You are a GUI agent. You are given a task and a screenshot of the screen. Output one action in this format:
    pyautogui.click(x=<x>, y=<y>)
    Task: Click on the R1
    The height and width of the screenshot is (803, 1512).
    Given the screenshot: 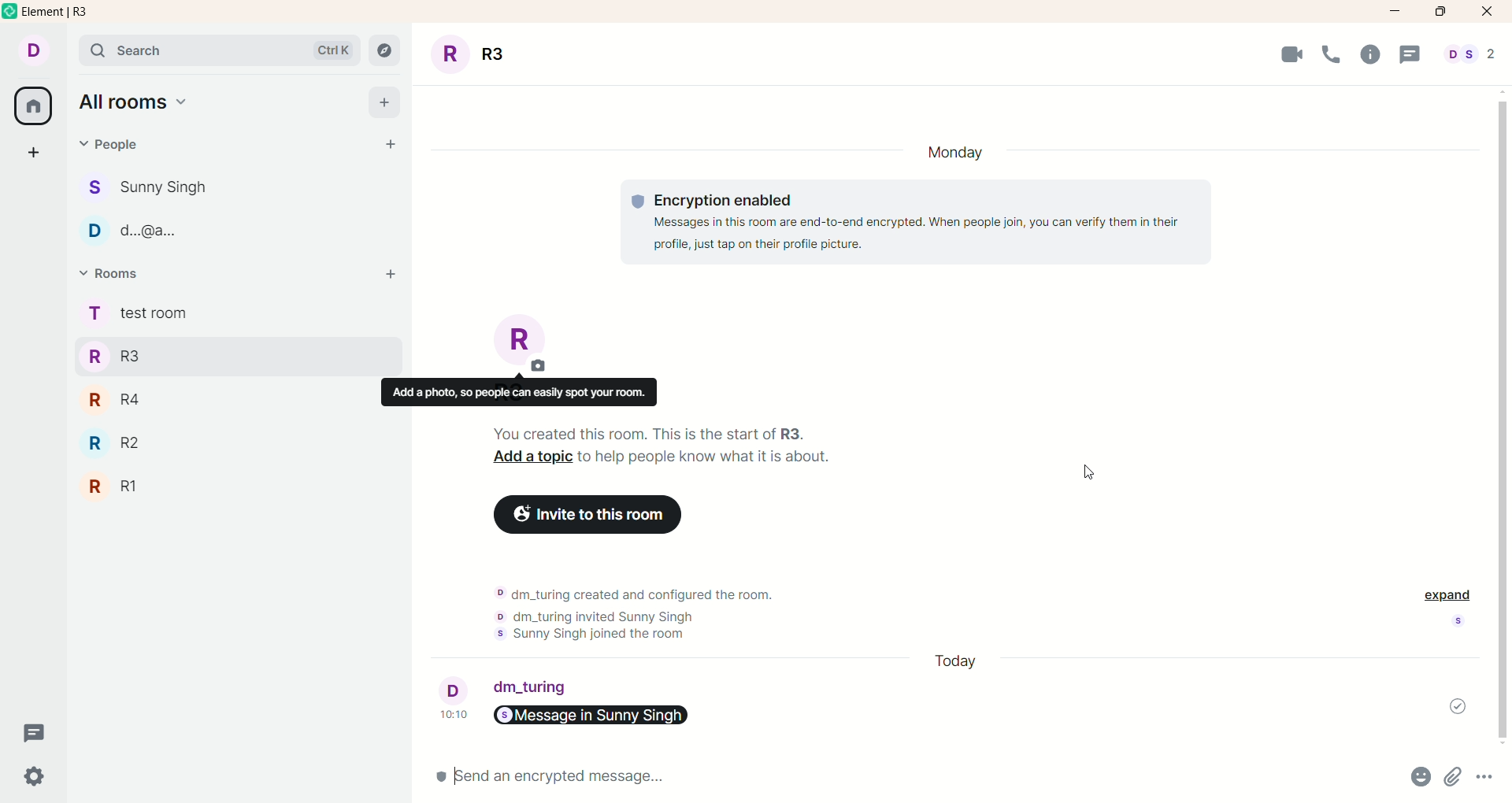 What is the action you would take?
    pyautogui.click(x=129, y=487)
    